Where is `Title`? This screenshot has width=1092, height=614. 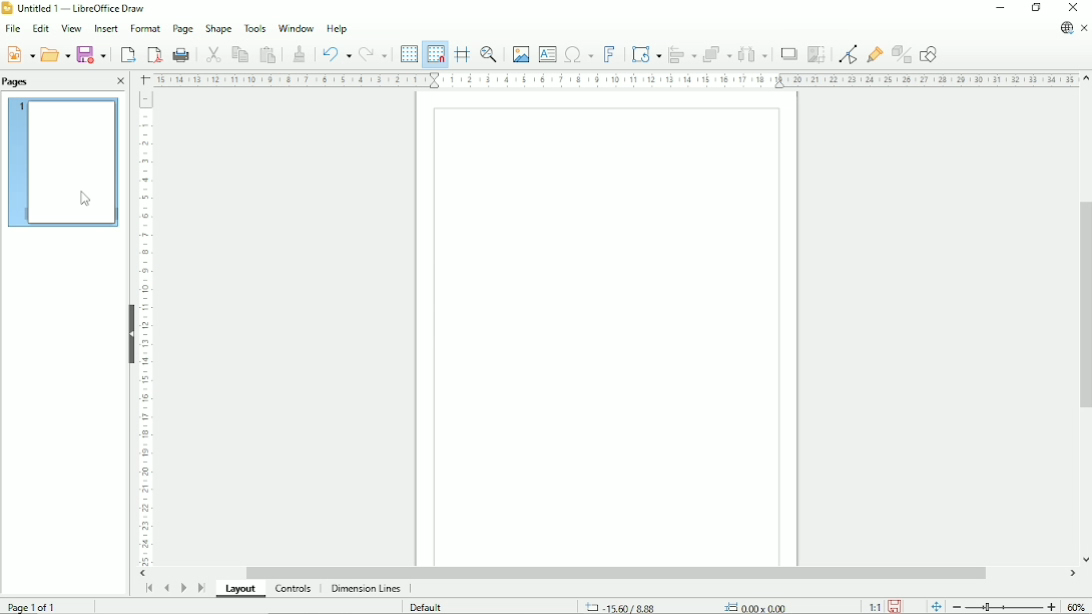
Title is located at coordinates (77, 9).